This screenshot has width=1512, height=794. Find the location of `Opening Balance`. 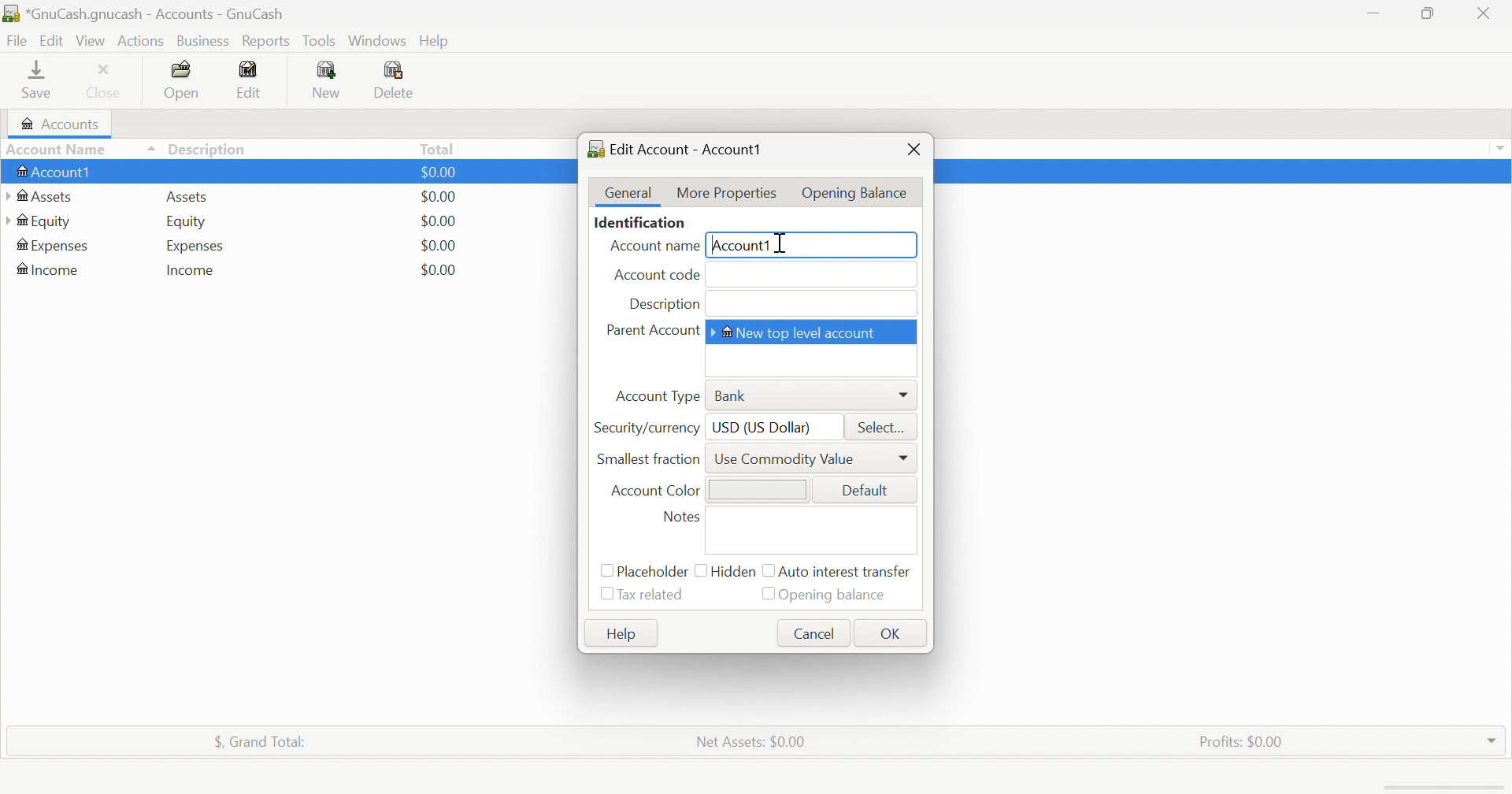

Opening Balance is located at coordinates (854, 191).